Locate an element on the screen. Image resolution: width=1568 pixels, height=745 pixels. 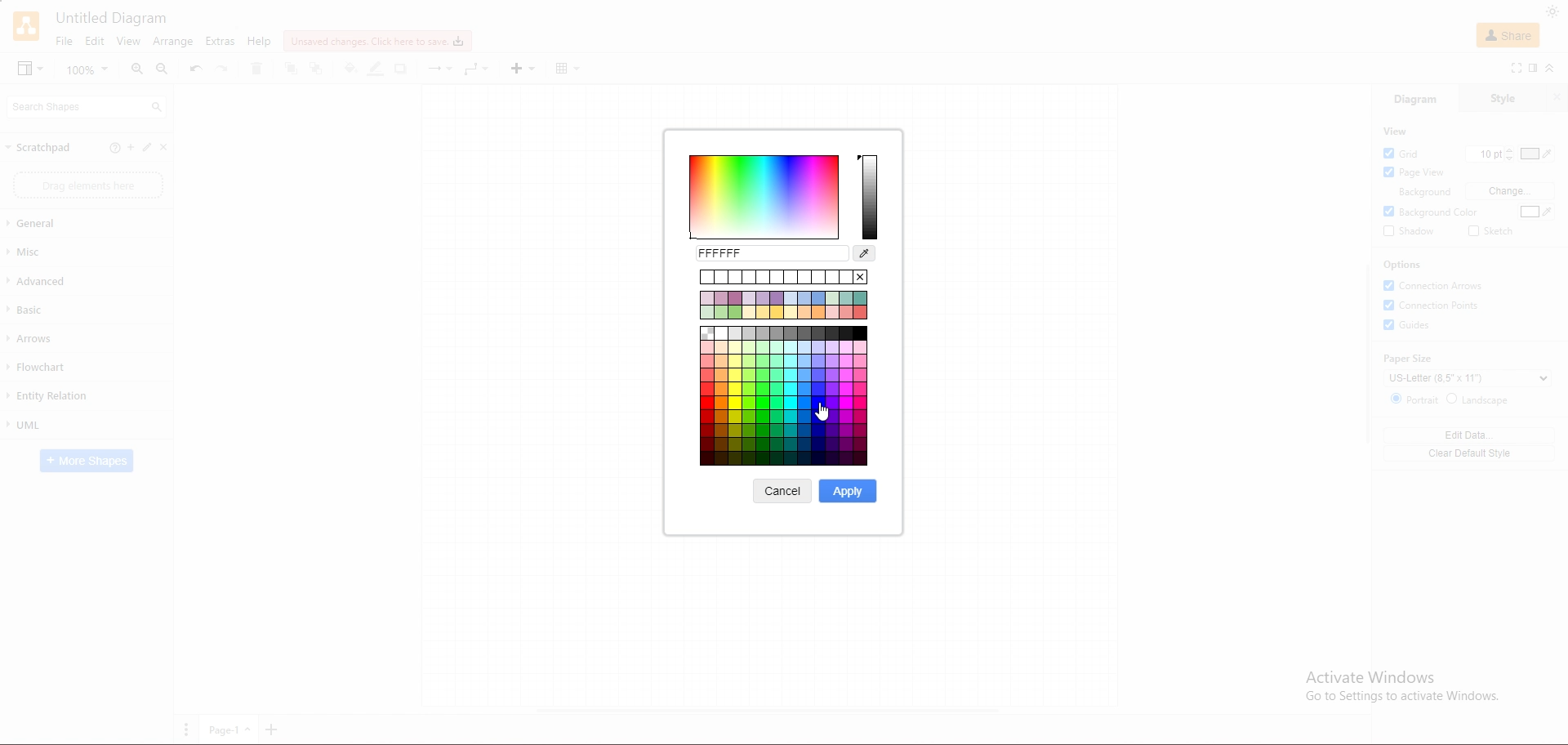
color options is located at coordinates (785, 305).